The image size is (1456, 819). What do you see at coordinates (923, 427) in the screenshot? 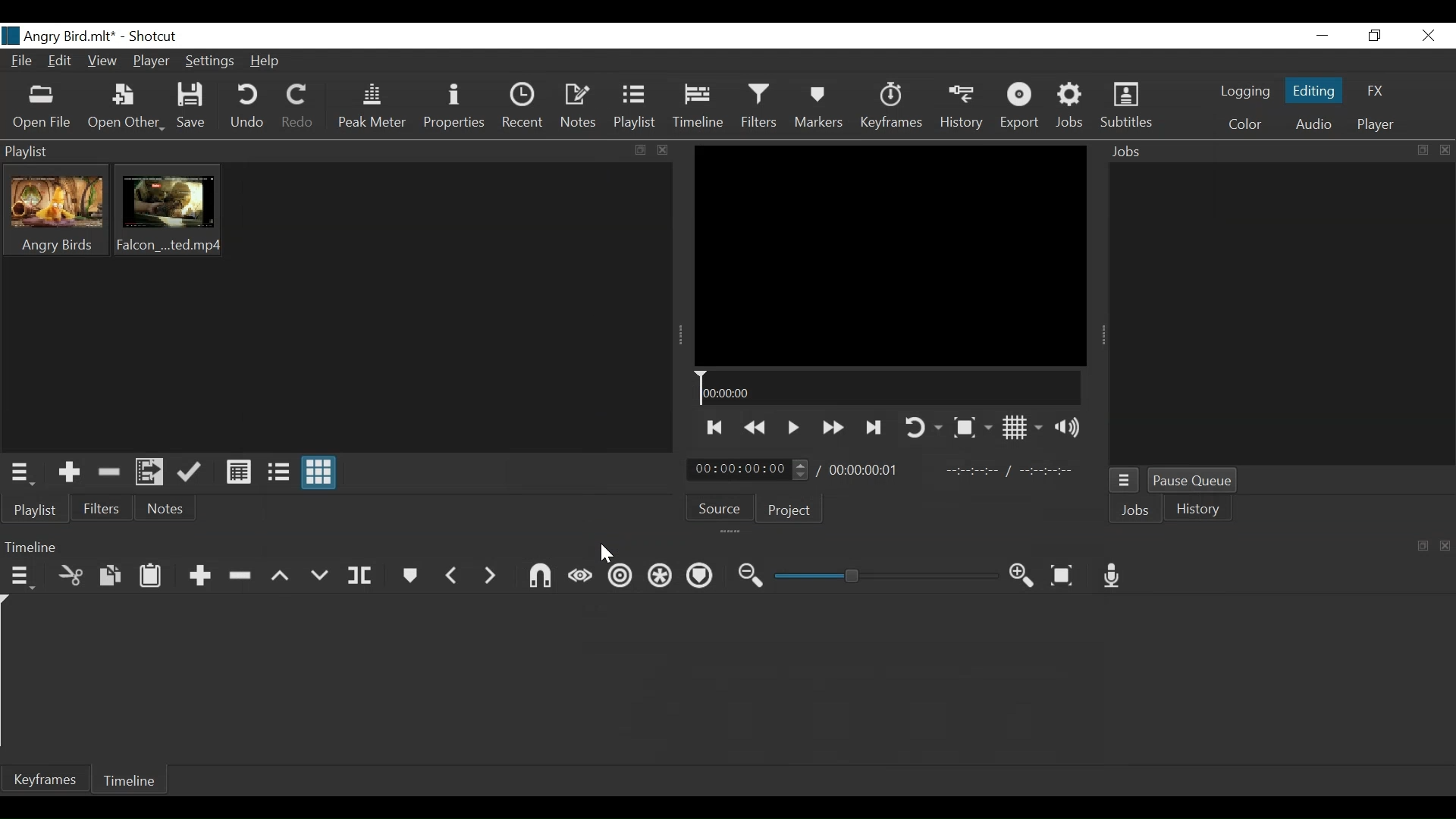
I see `Toggle player on looping` at bounding box center [923, 427].